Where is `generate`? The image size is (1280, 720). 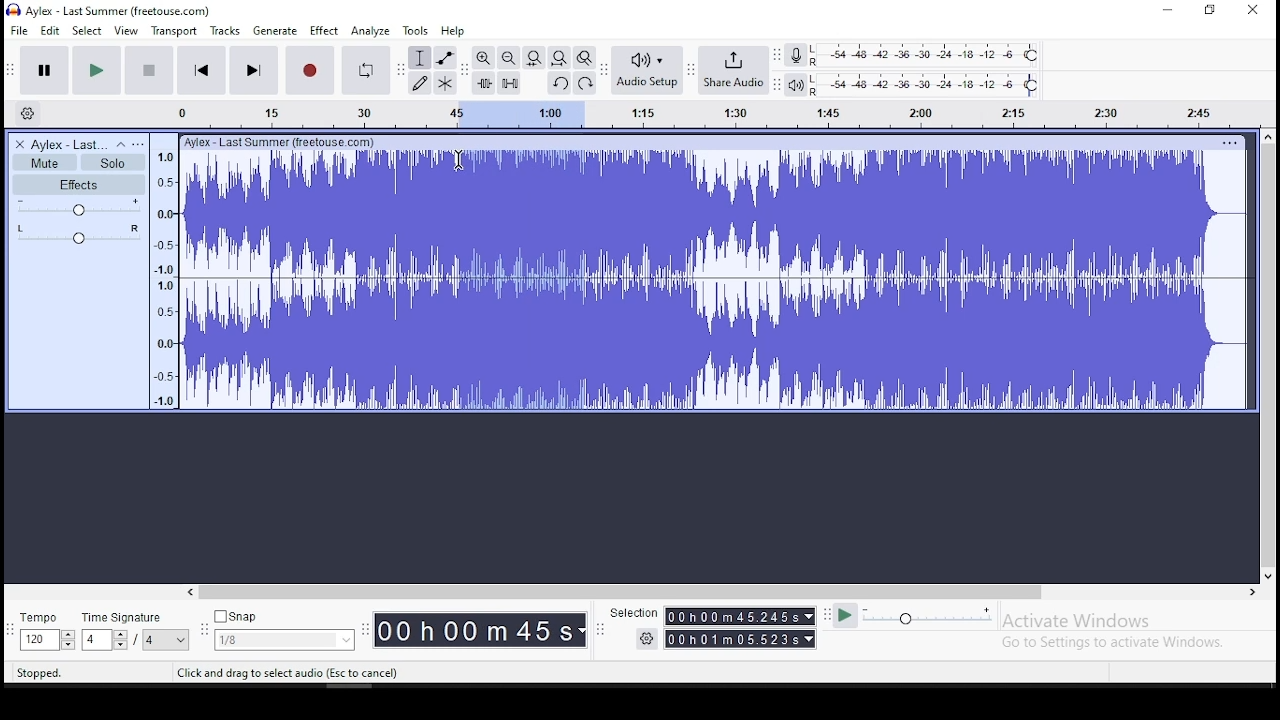 generate is located at coordinates (276, 31).